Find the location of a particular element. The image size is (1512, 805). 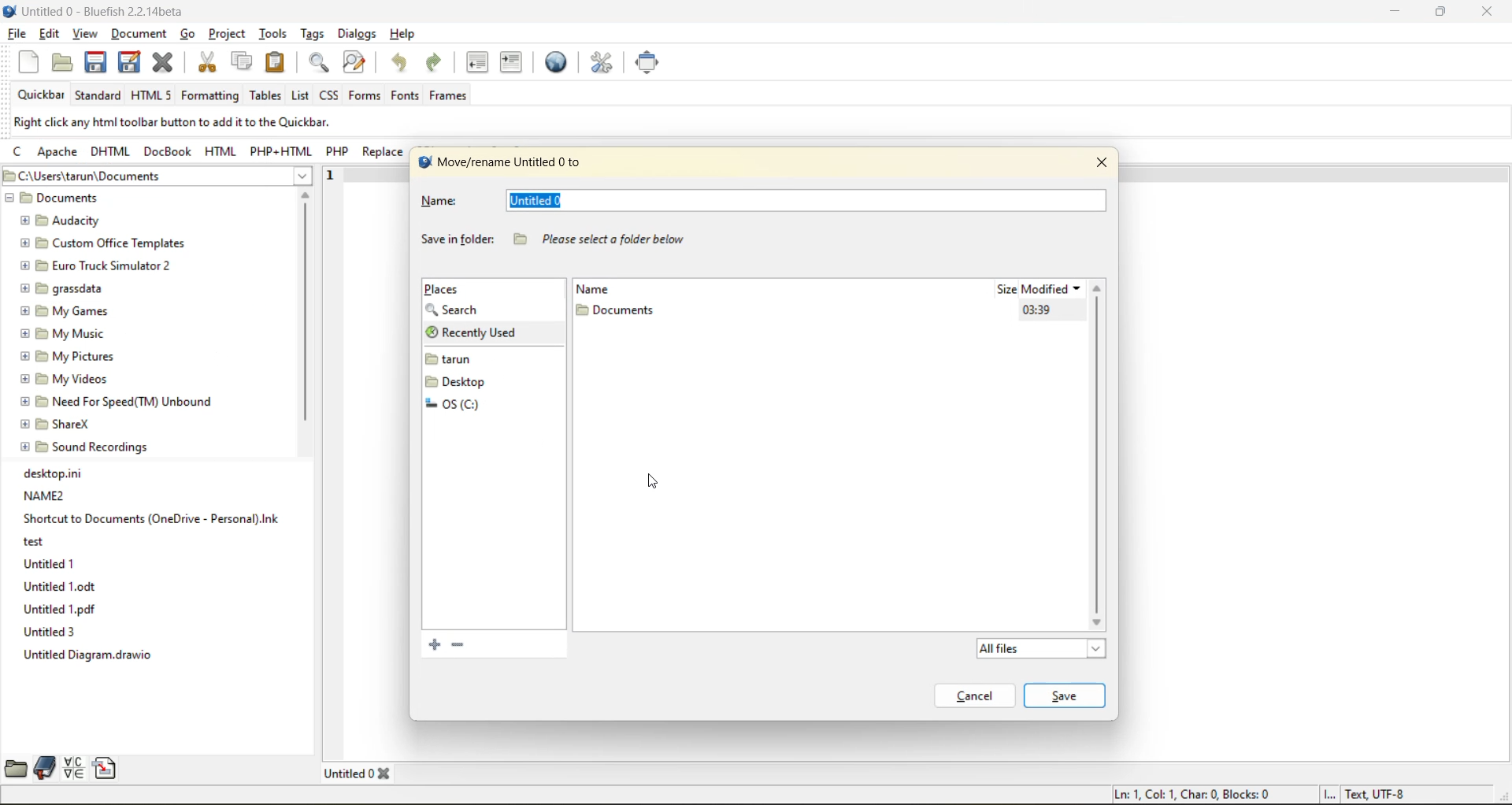

Shortcut to Documents (OneDrive-Personal).Ink is located at coordinates (149, 517).